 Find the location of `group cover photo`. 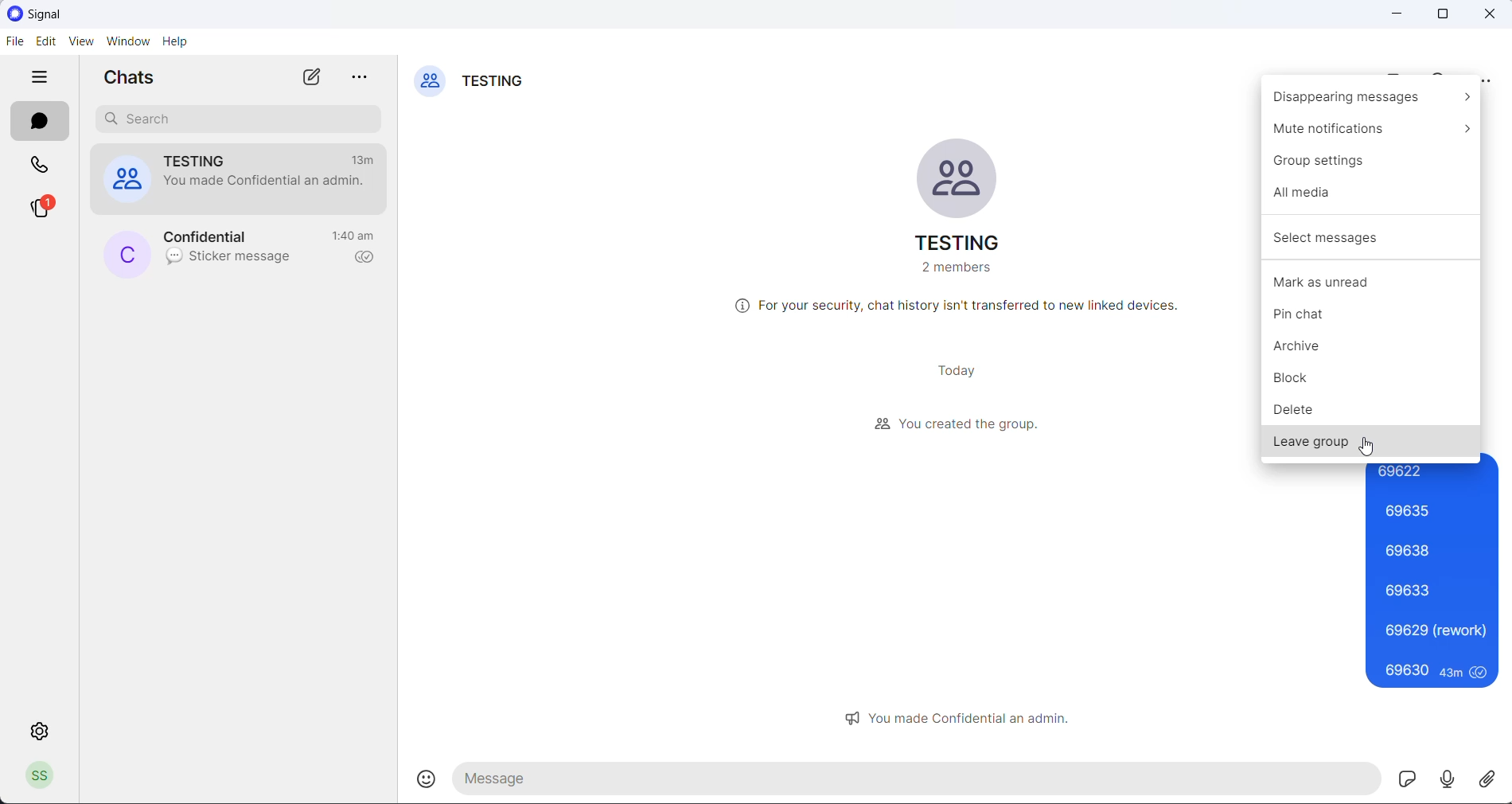

group cover photo is located at coordinates (960, 178).